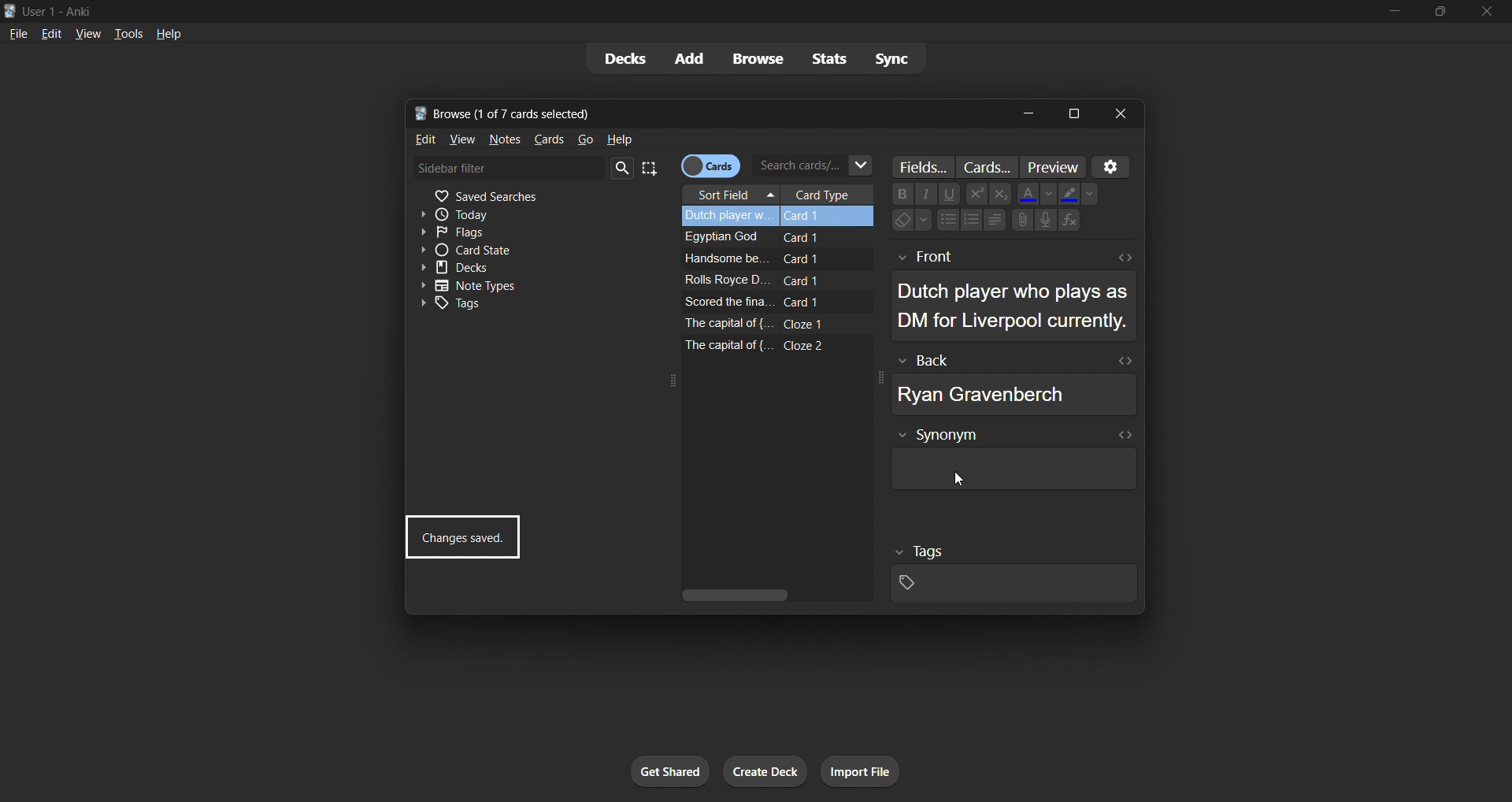  I want to click on Bullet points, so click(948, 221).